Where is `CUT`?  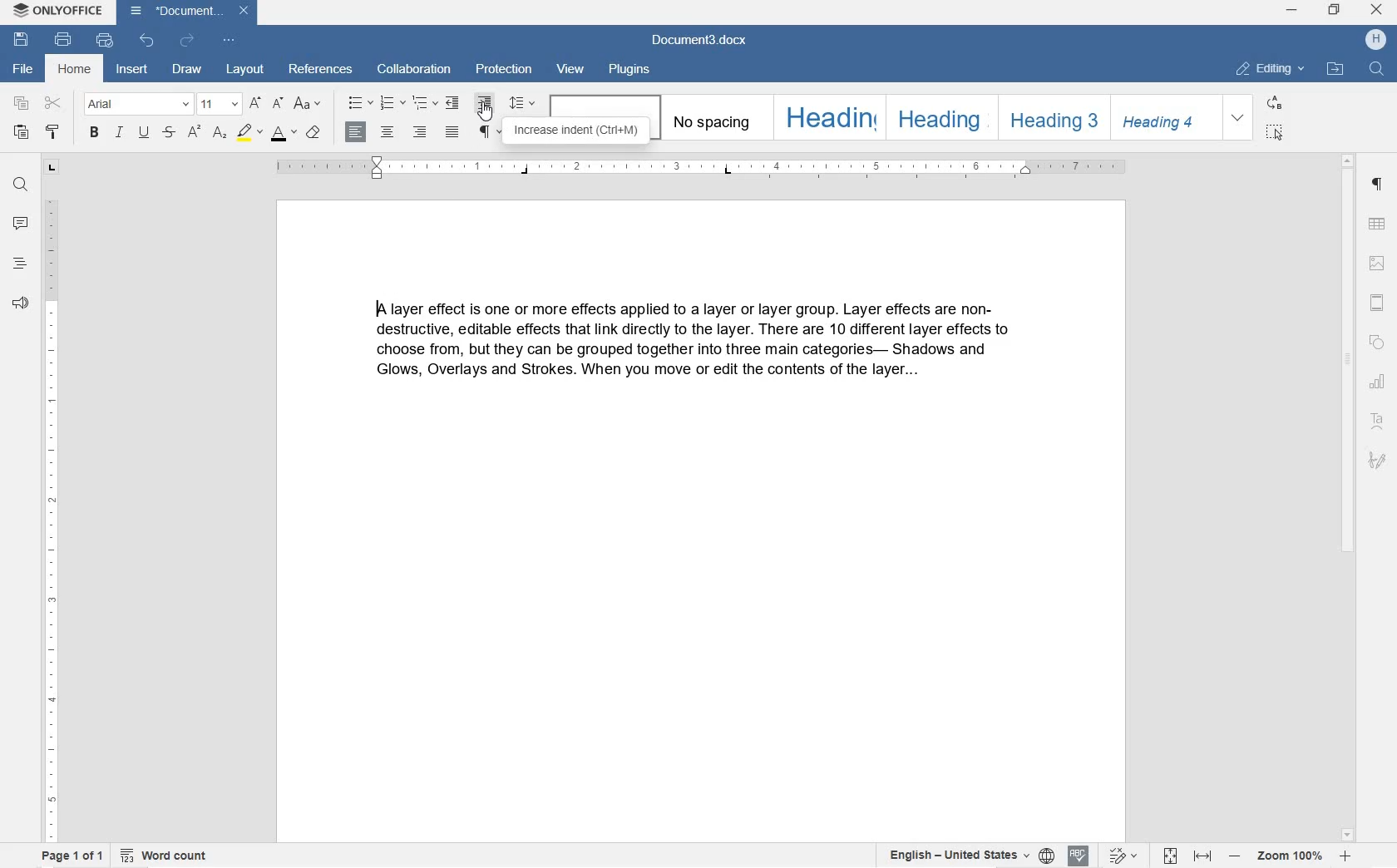 CUT is located at coordinates (55, 104).